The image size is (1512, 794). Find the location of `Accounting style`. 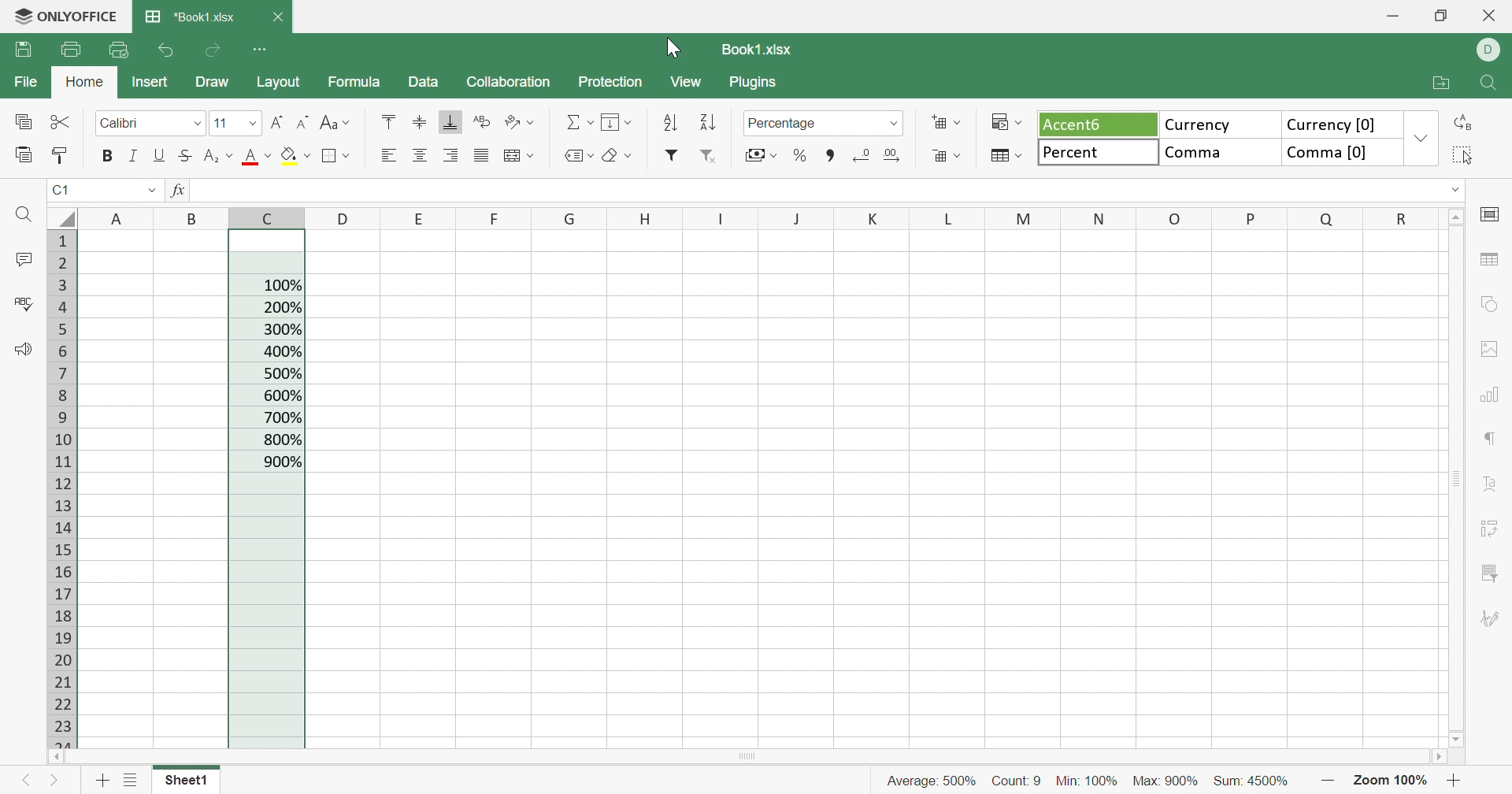

Accounting style is located at coordinates (760, 155).